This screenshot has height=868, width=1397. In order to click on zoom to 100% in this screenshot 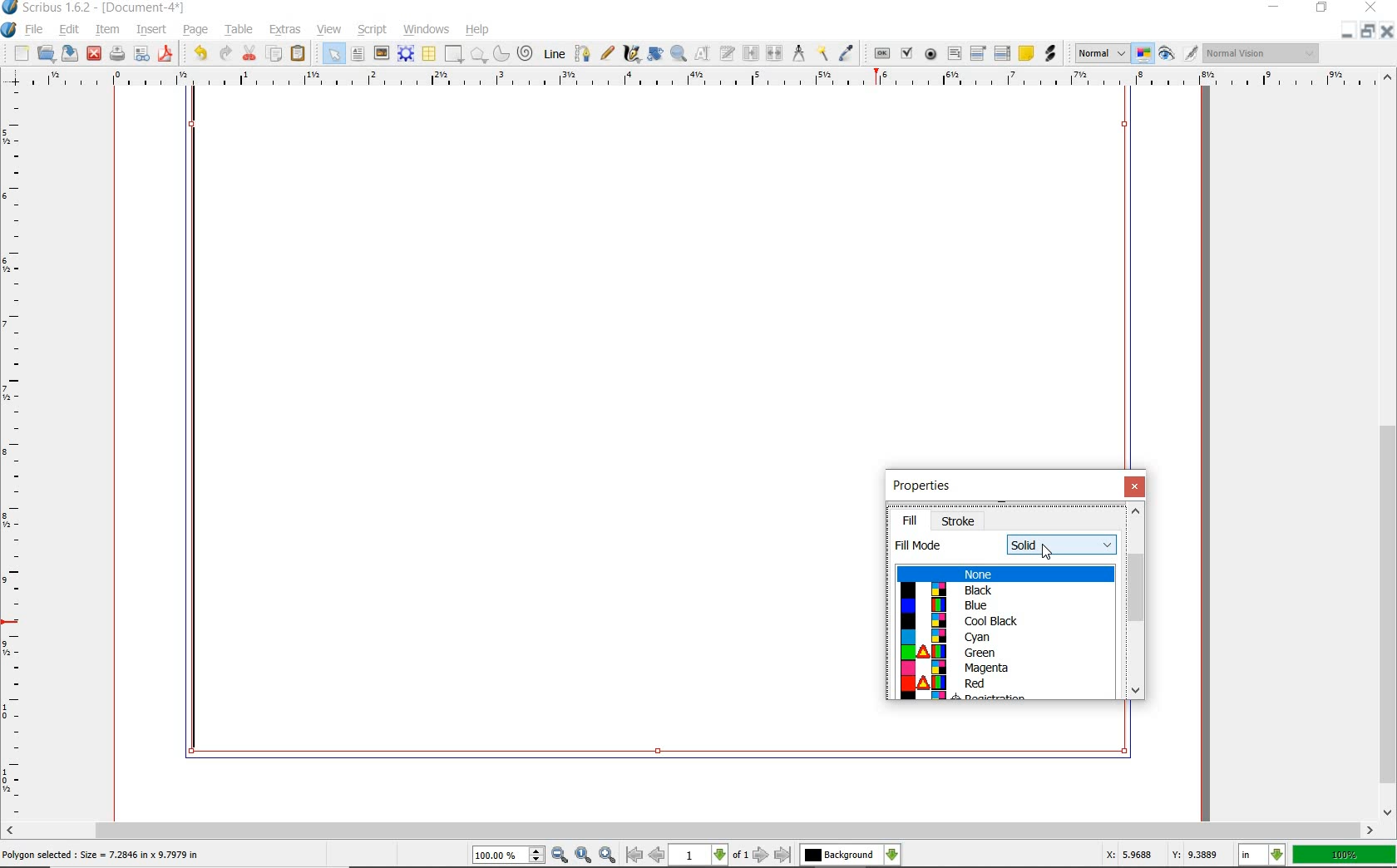, I will do `click(585, 855)`.